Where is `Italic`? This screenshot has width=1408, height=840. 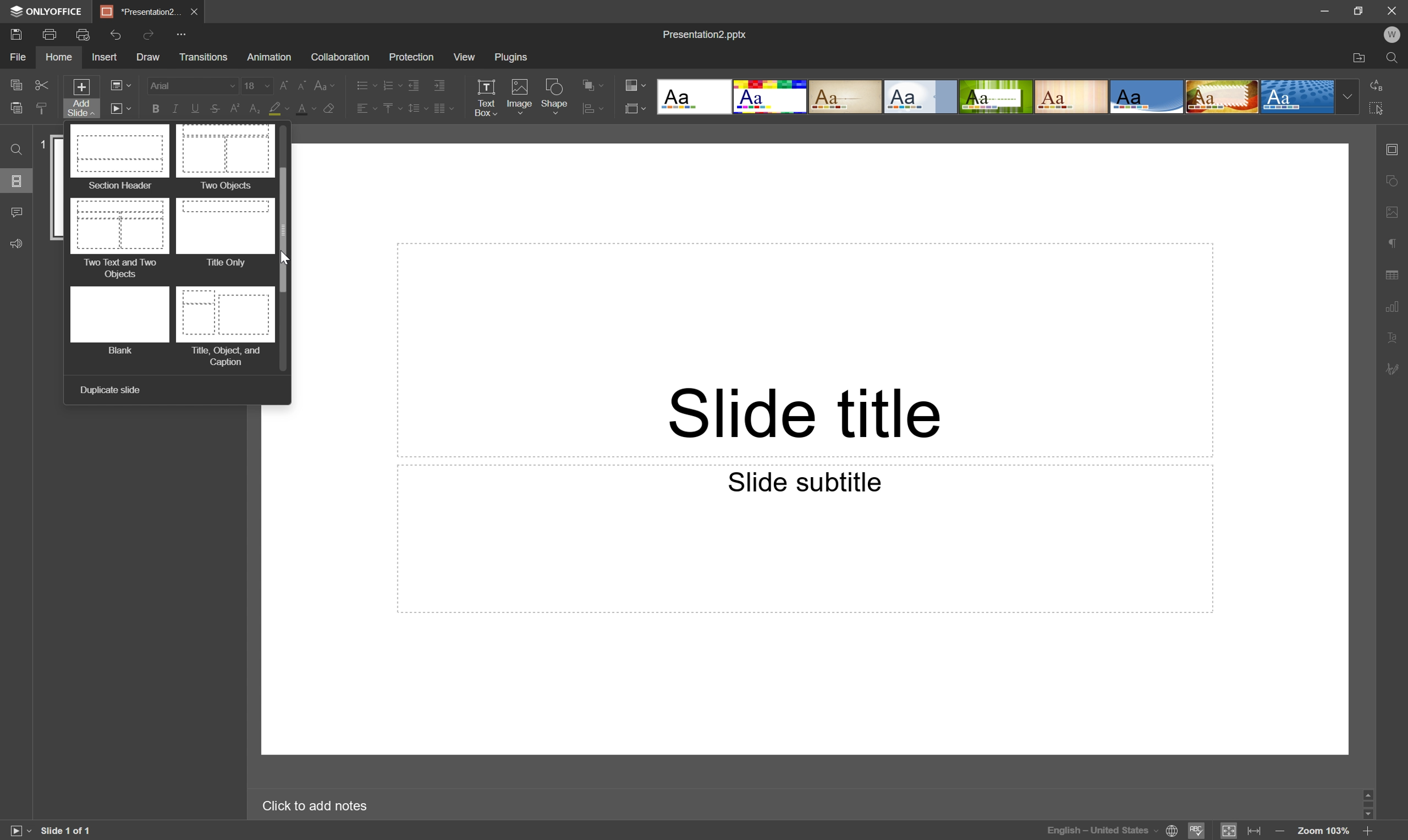
Italic is located at coordinates (173, 110).